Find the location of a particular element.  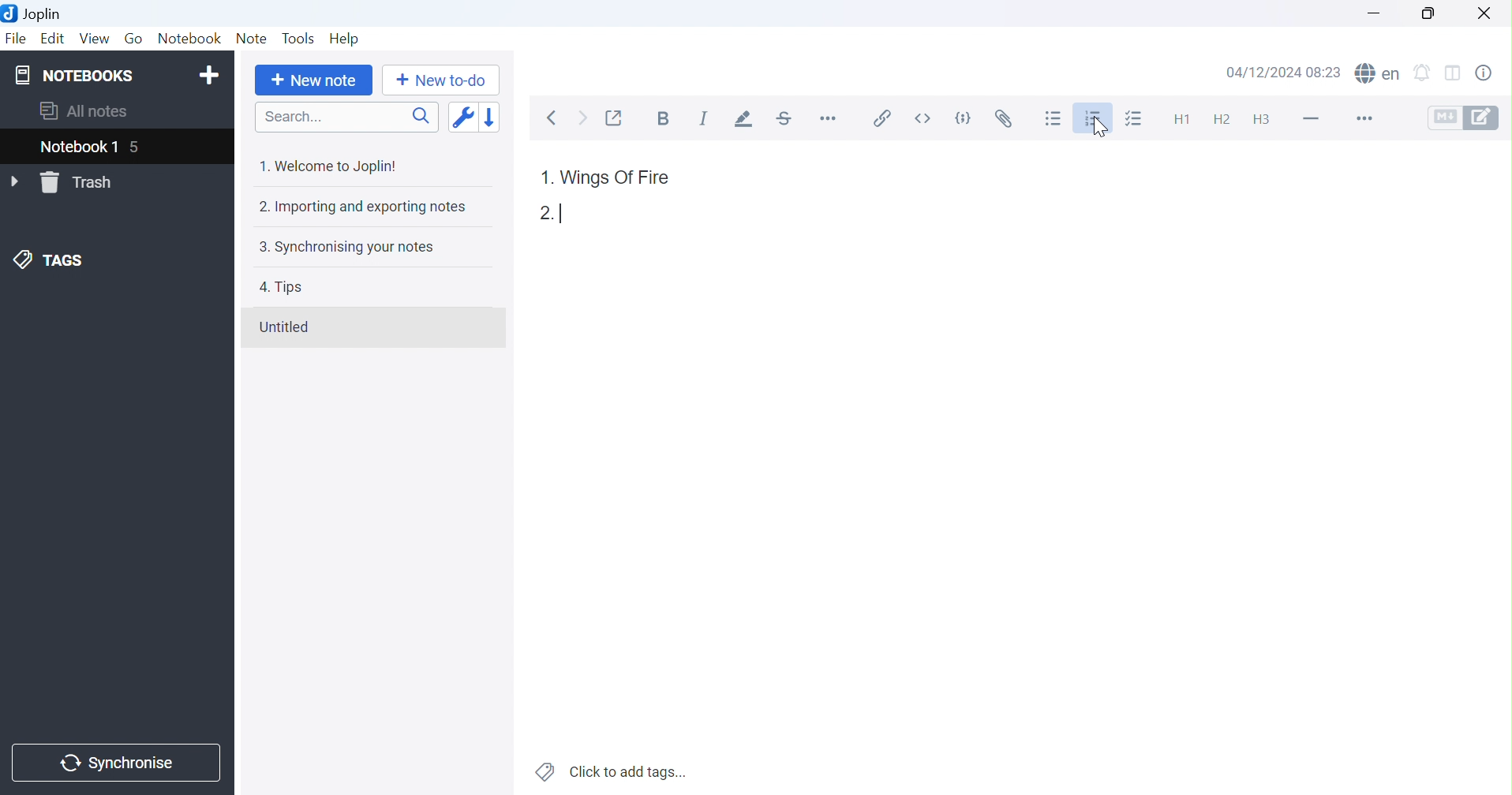

5 is located at coordinates (143, 148).